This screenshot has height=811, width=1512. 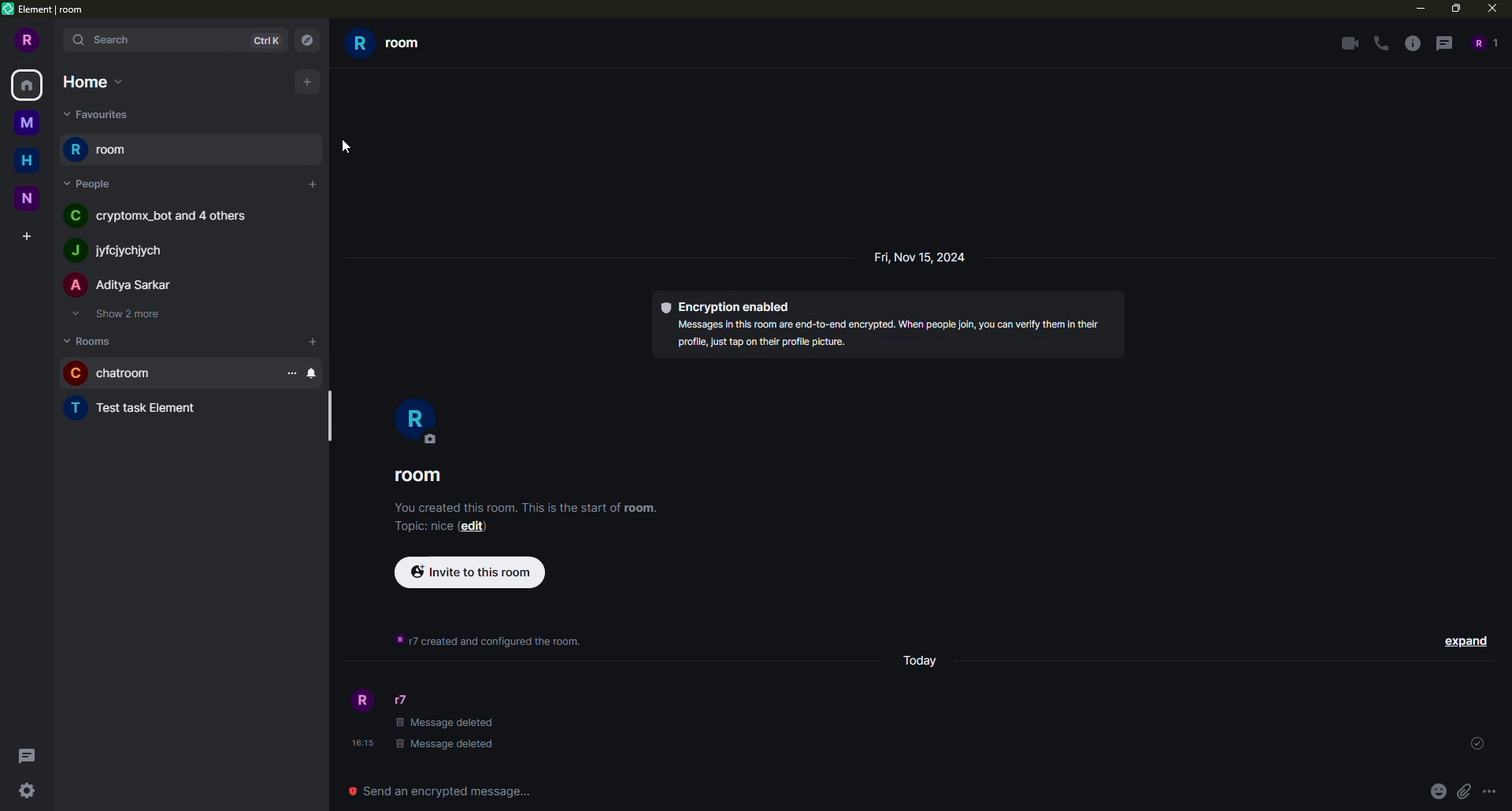 What do you see at coordinates (266, 39) in the screenshot?
I see `ctrlK` at bounding box center [266, 39].